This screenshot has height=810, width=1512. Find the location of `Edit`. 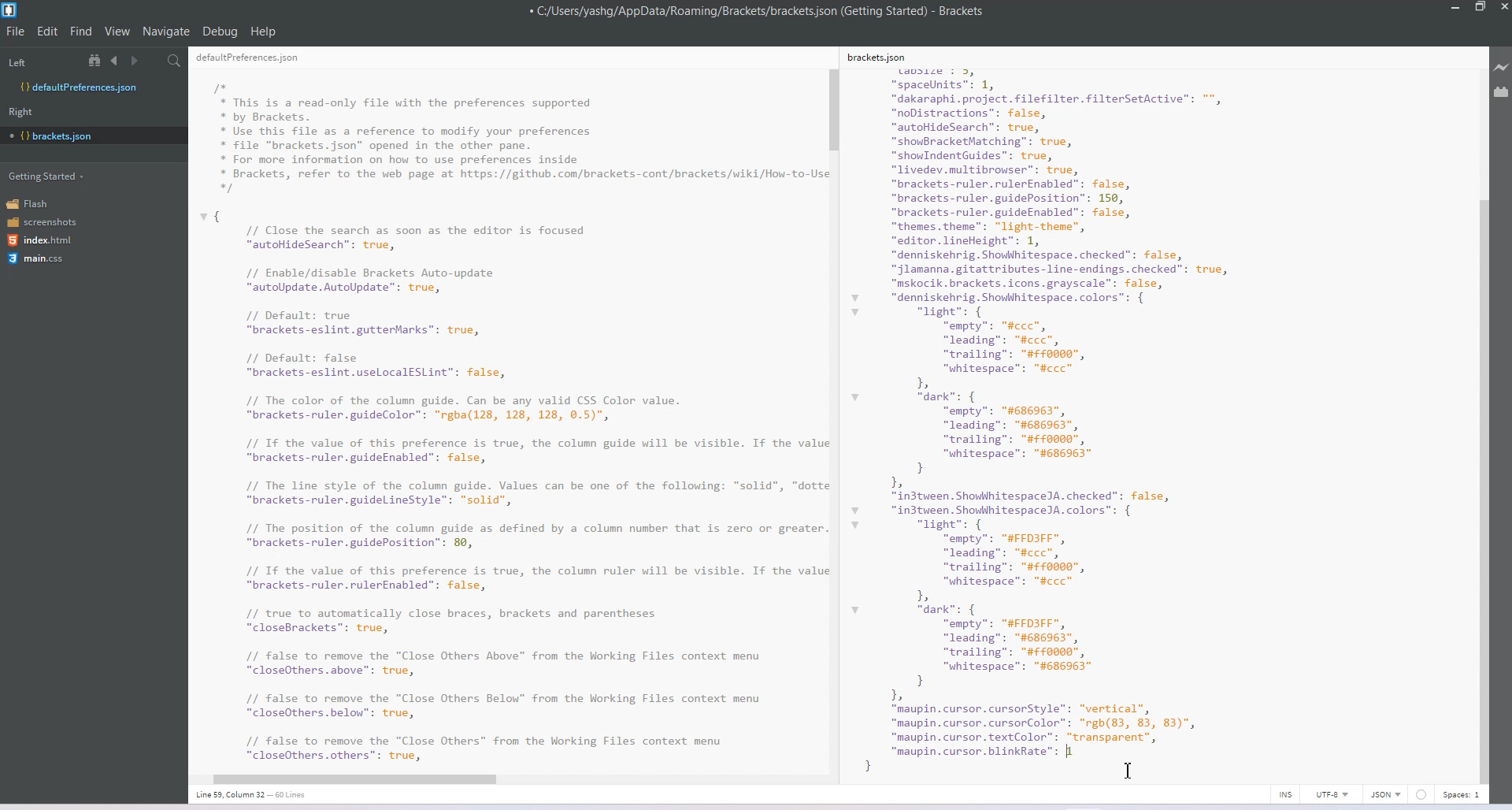

Edit is located at coordinates (49, 31).